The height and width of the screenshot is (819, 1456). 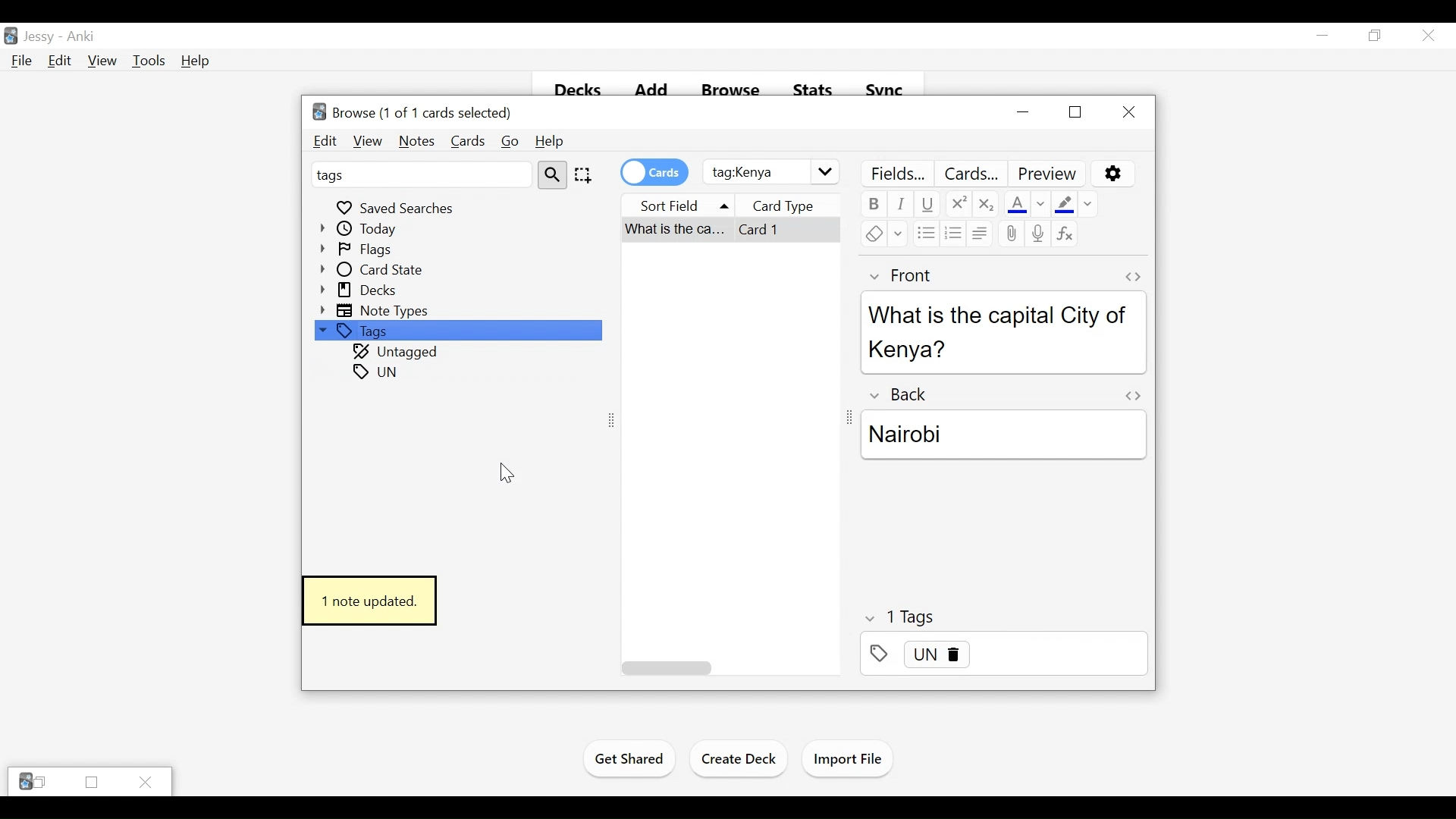 I want to click on Note Types, so click(x=377, y=310).